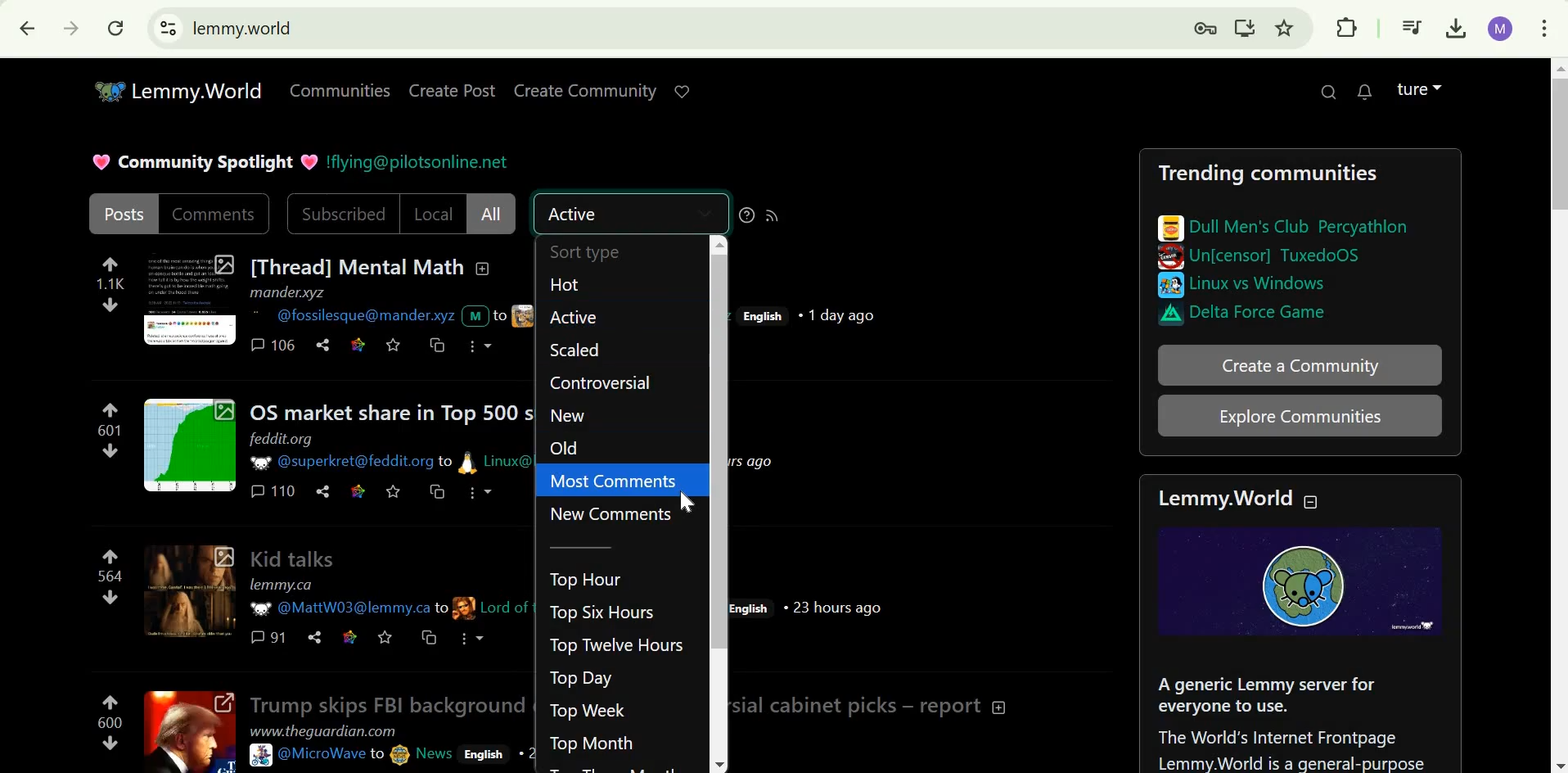 This screenshot has width=1568, height=773. I want to click on [Thread] Mental Math, so click(356, 265).